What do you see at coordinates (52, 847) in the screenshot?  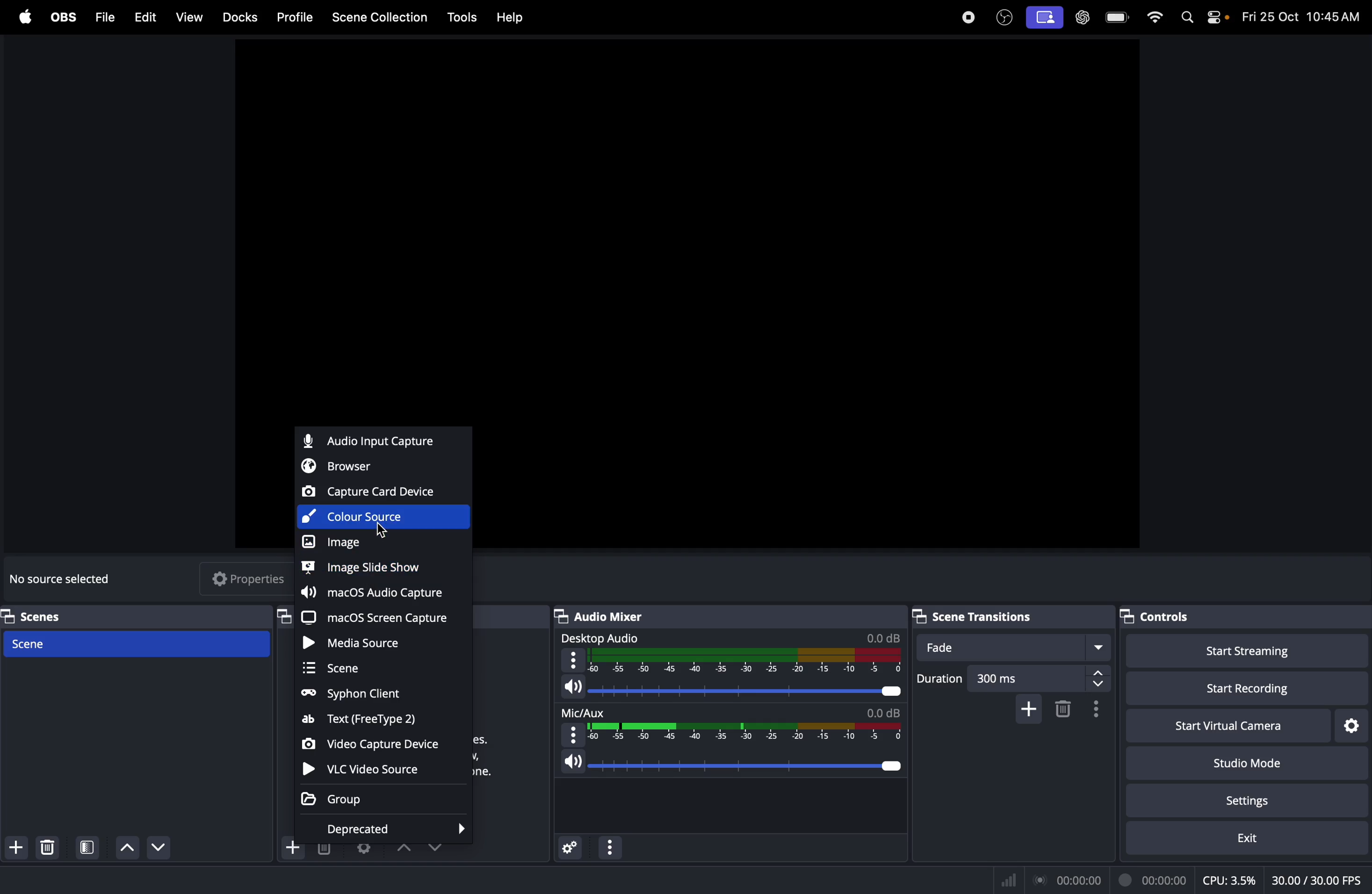 I see `delete` at bounding box center [52, 847].